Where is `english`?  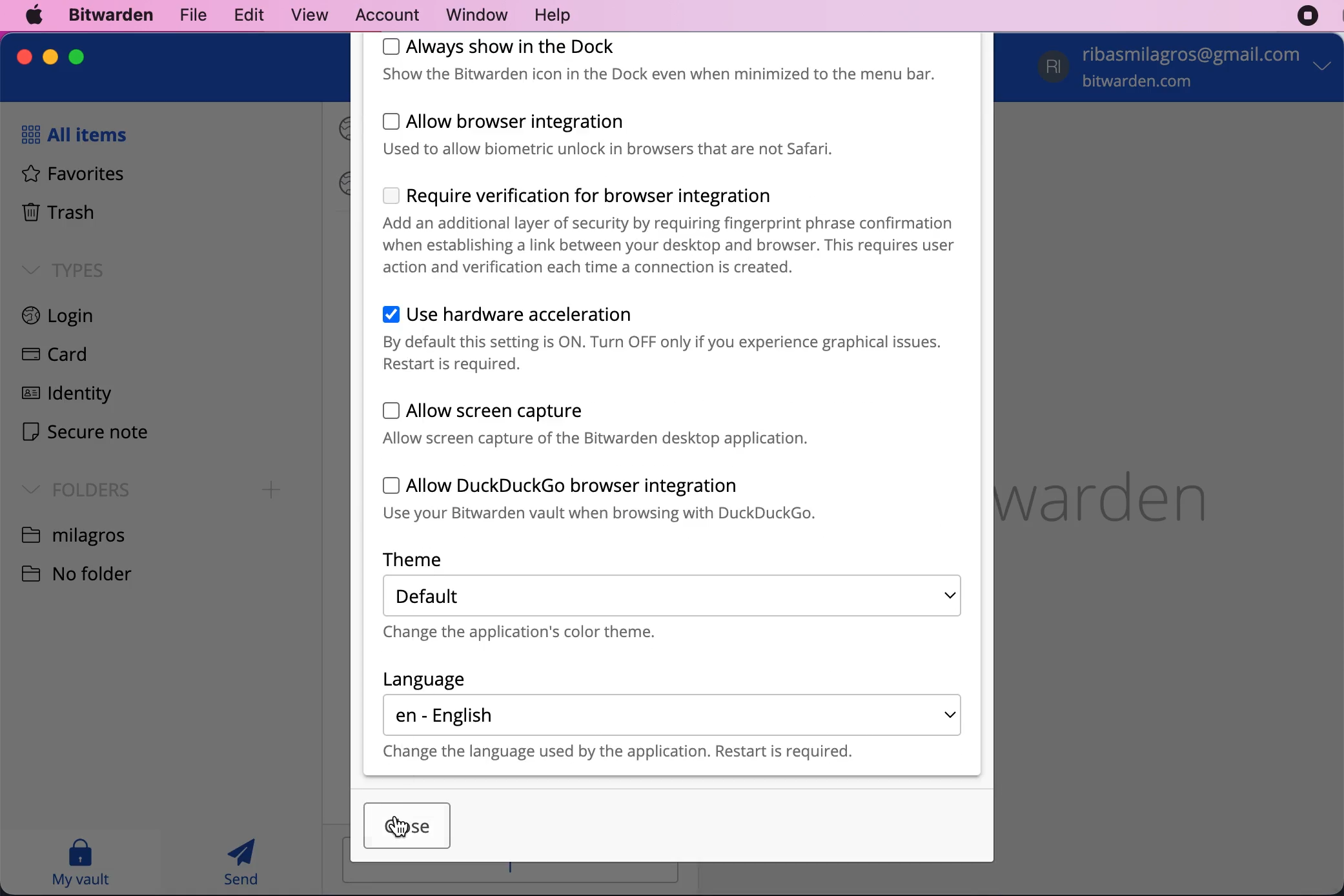
english is located at coordinates (673, 715).